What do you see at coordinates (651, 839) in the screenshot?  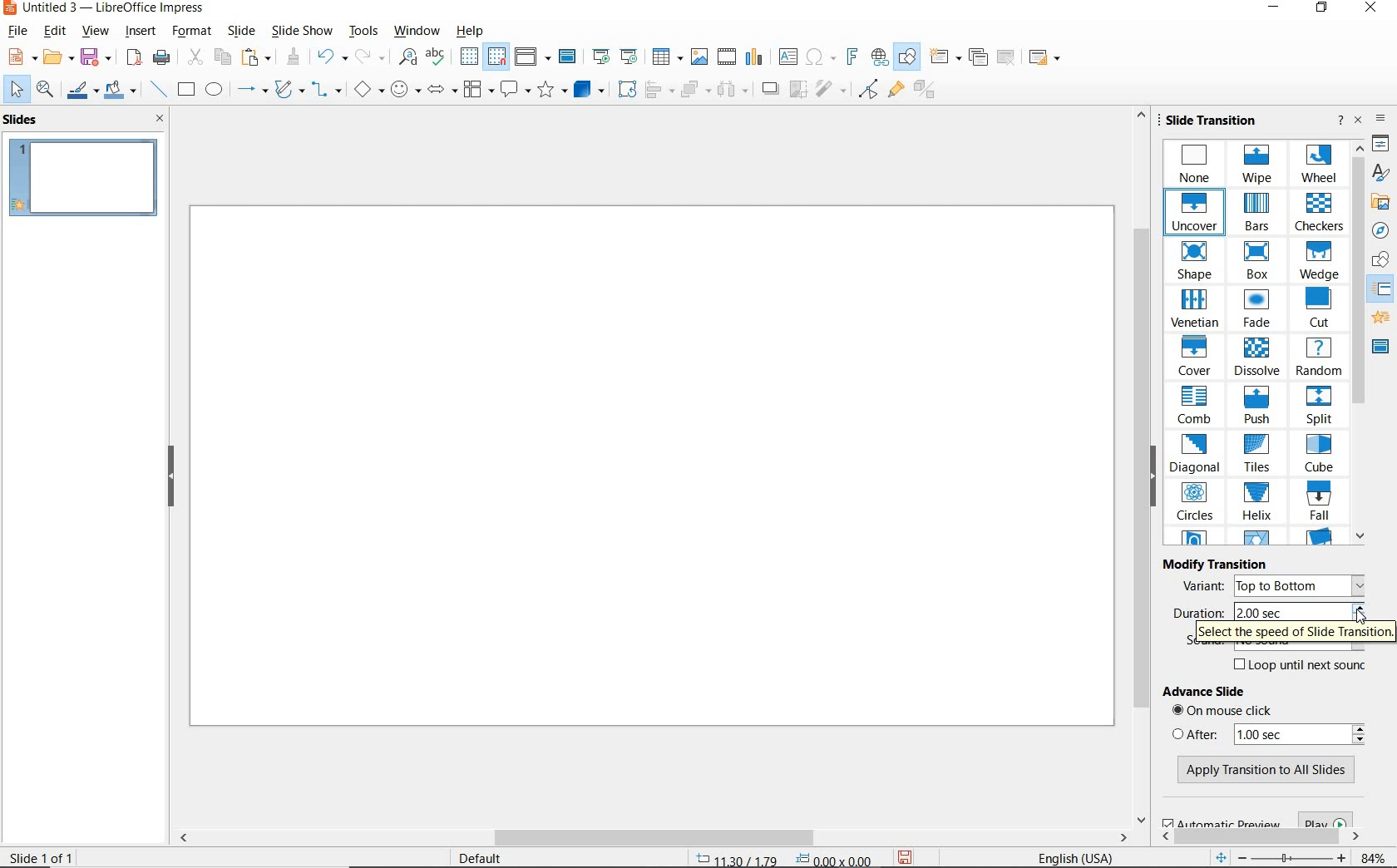 I see `SCROLLBAR` at bounding box center [651, 839].